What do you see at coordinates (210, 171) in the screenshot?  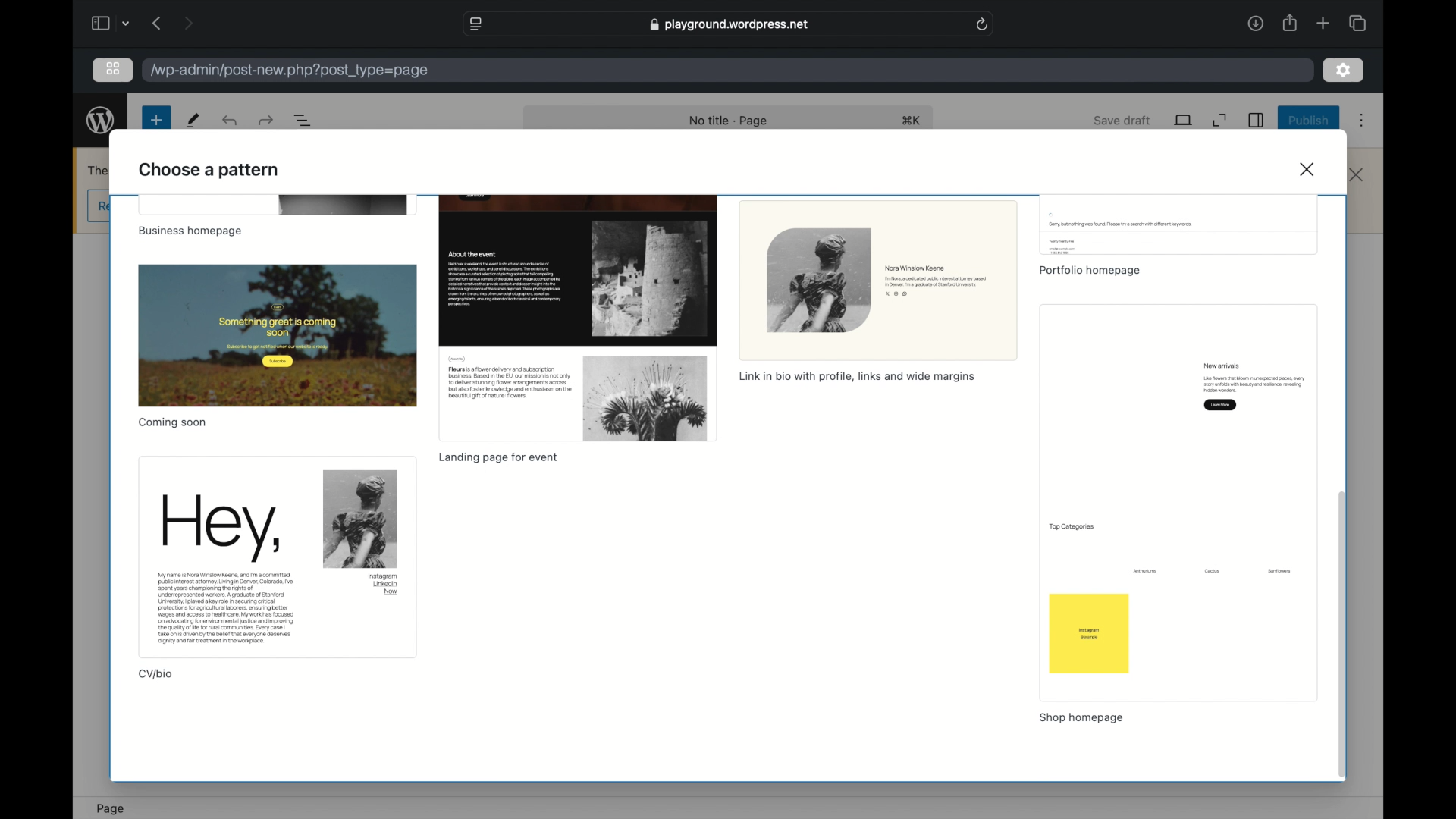 I see `choose a pattern` at bounding box center [210, 171].